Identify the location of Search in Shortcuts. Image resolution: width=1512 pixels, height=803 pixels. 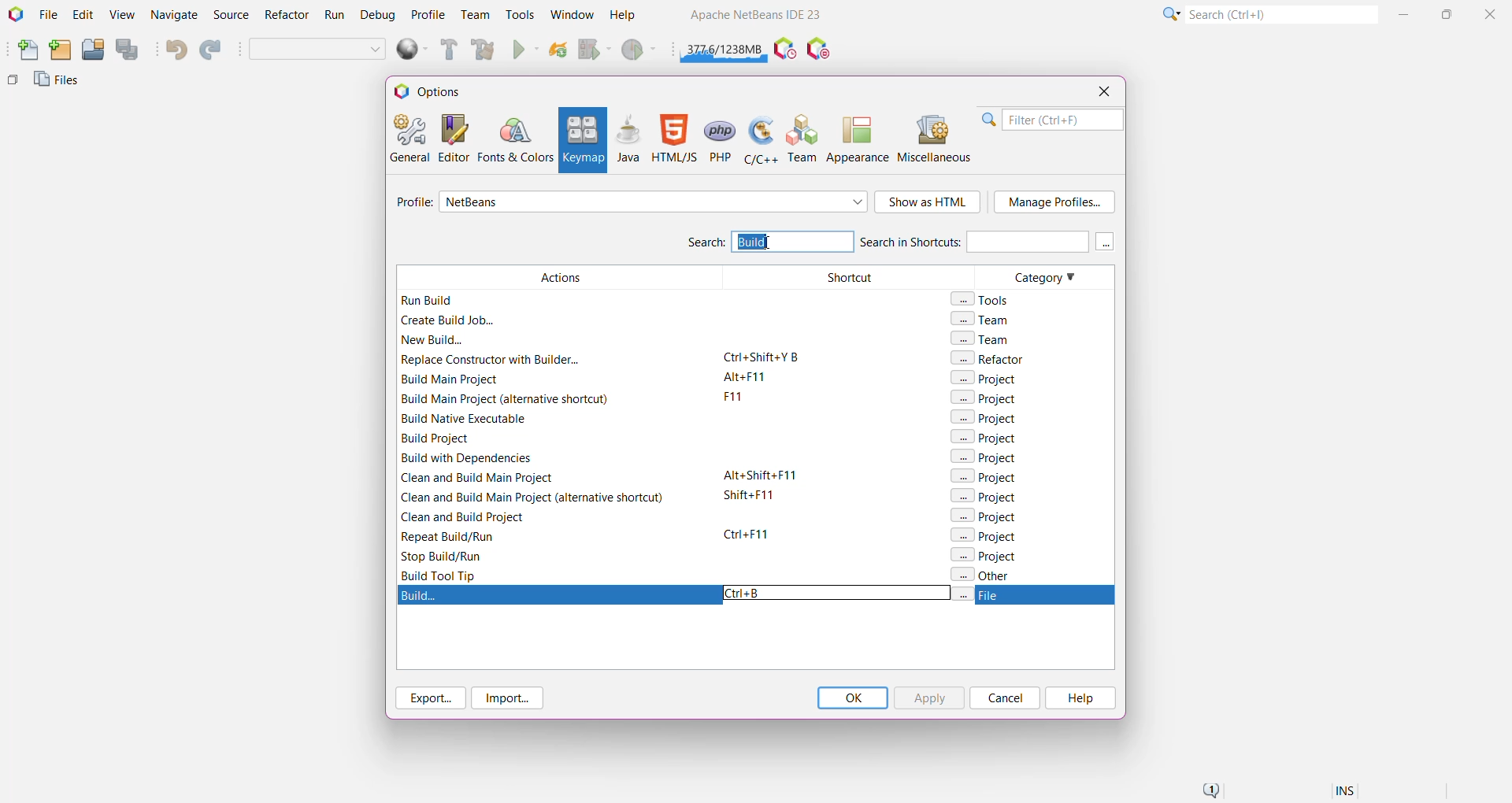
(973, 241).